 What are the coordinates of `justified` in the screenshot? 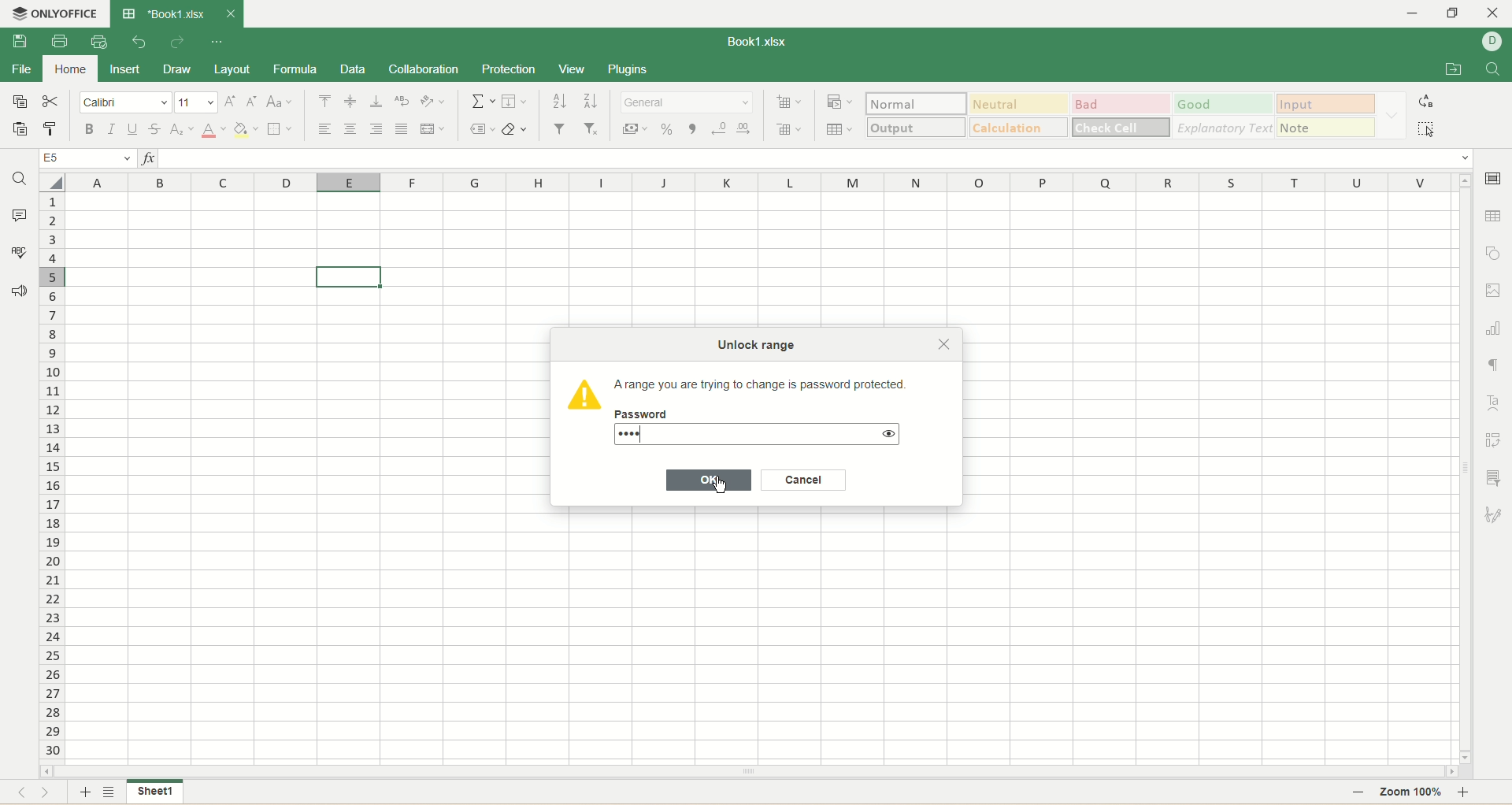 It's located at (402, 131).